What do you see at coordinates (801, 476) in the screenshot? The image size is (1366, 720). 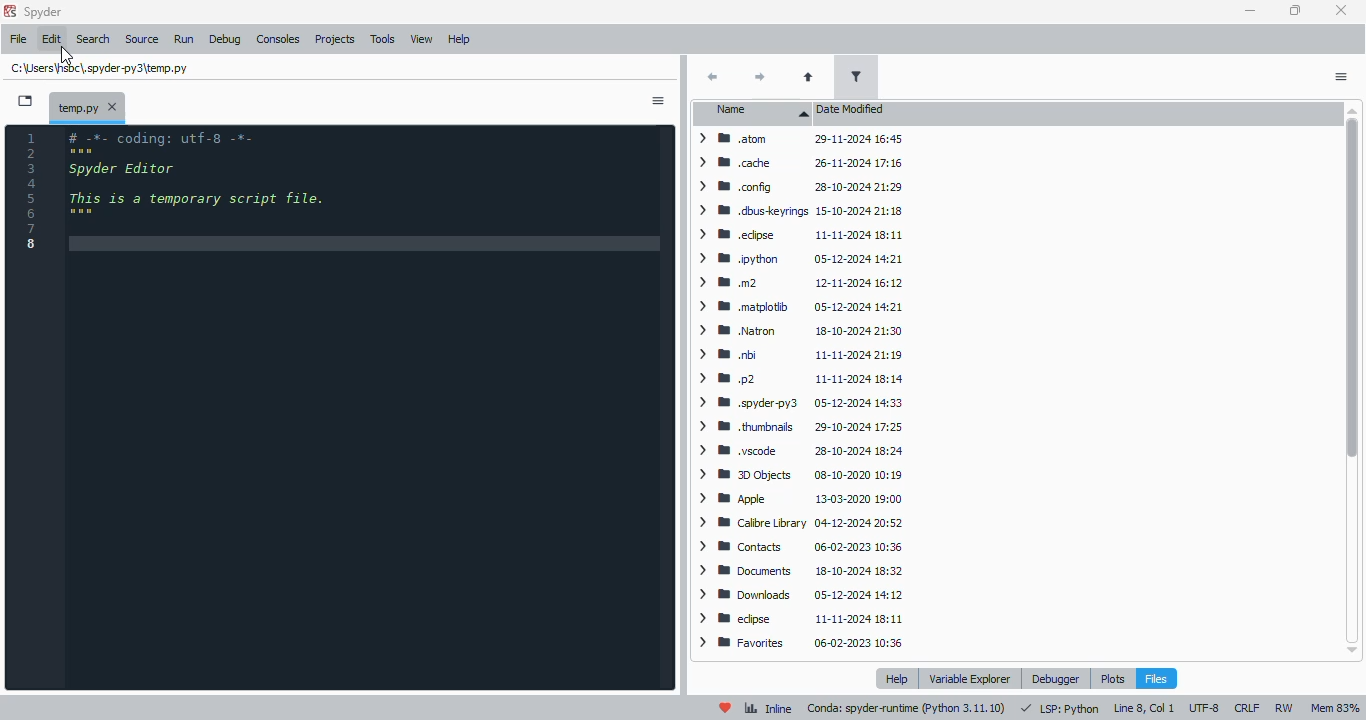 I see `> BB 3DObjects 08-10-2020 10:19` at bounding box center [801, 476].